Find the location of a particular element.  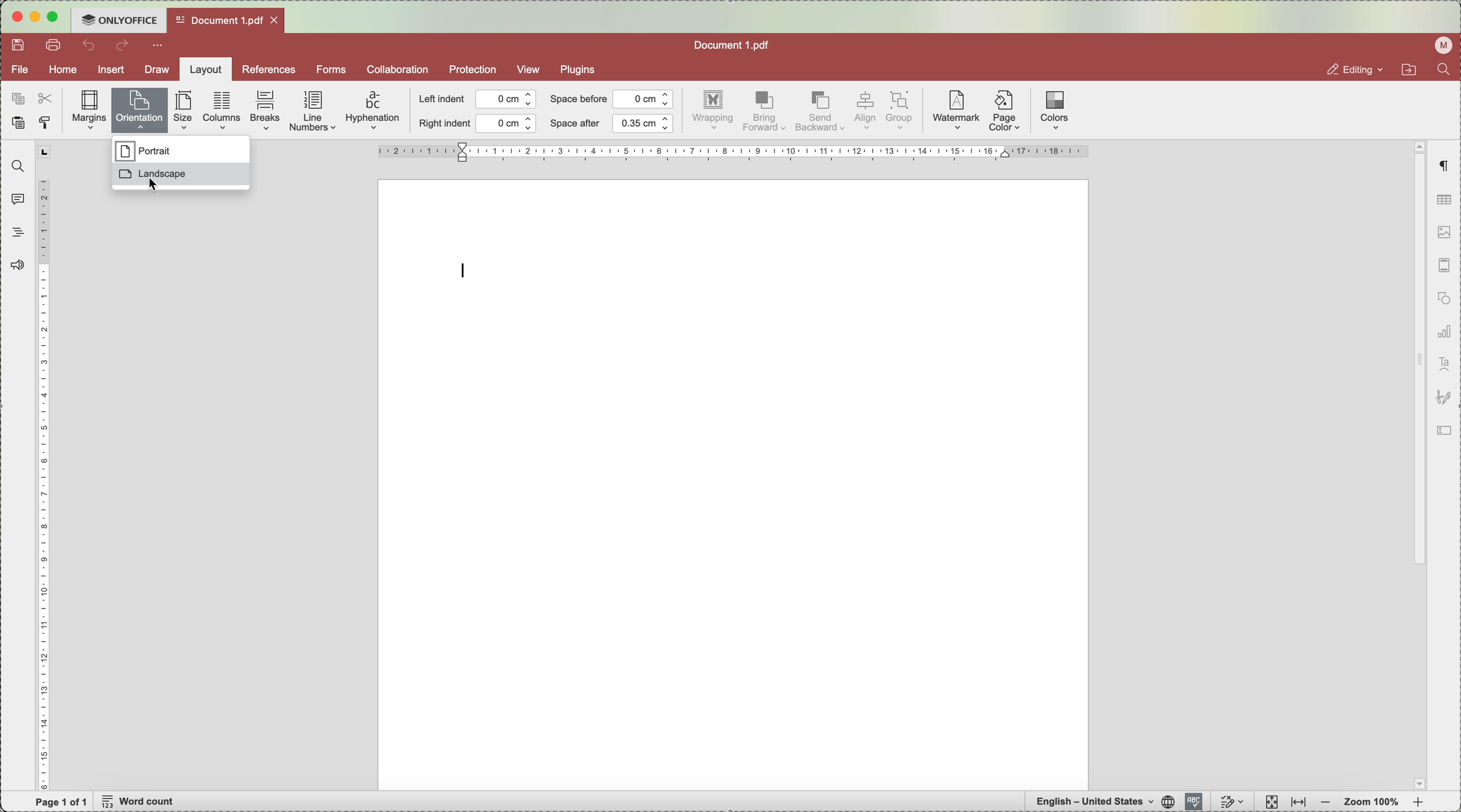

size is located at coordinates (185, 111).